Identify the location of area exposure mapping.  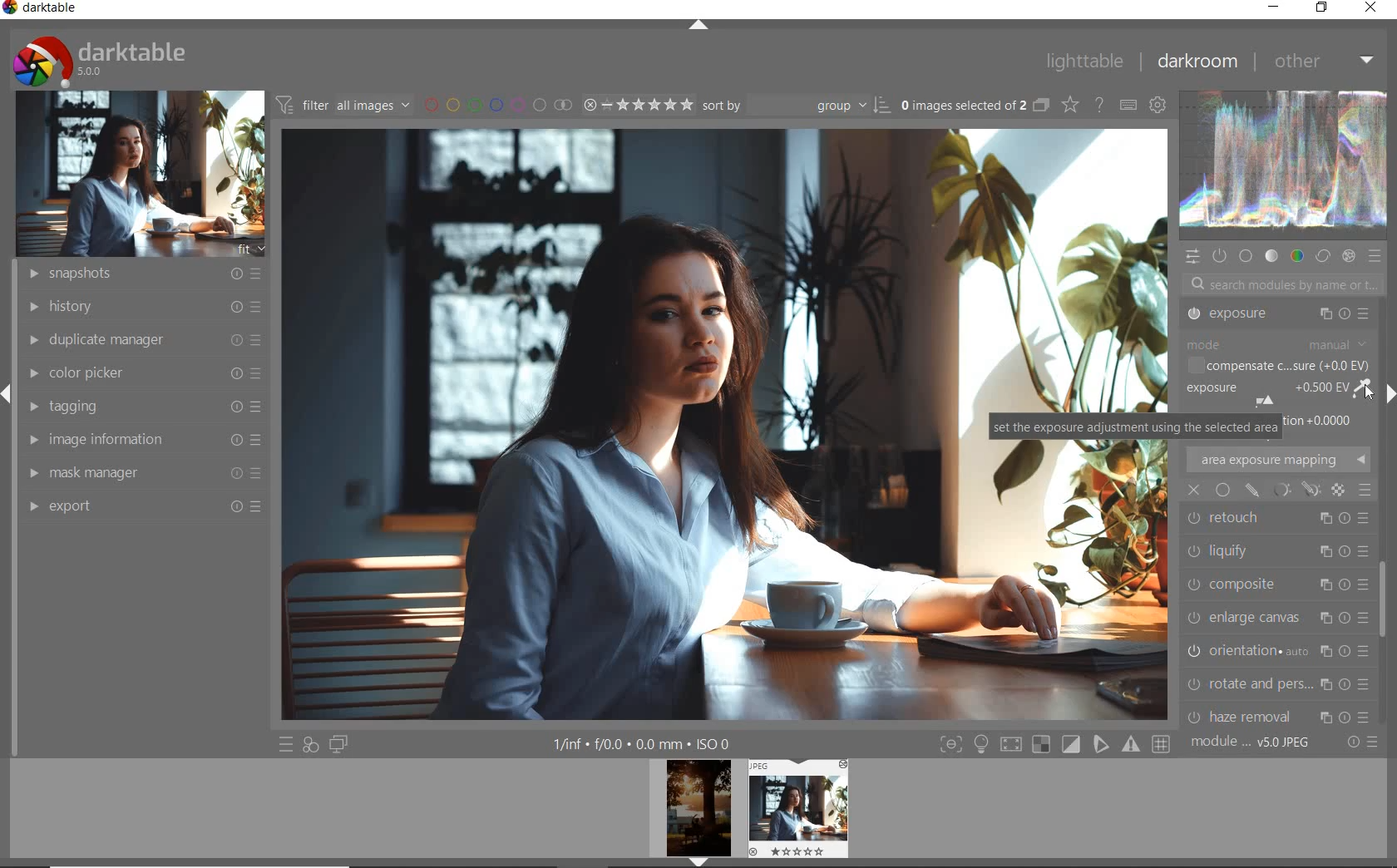
(1278, 460).